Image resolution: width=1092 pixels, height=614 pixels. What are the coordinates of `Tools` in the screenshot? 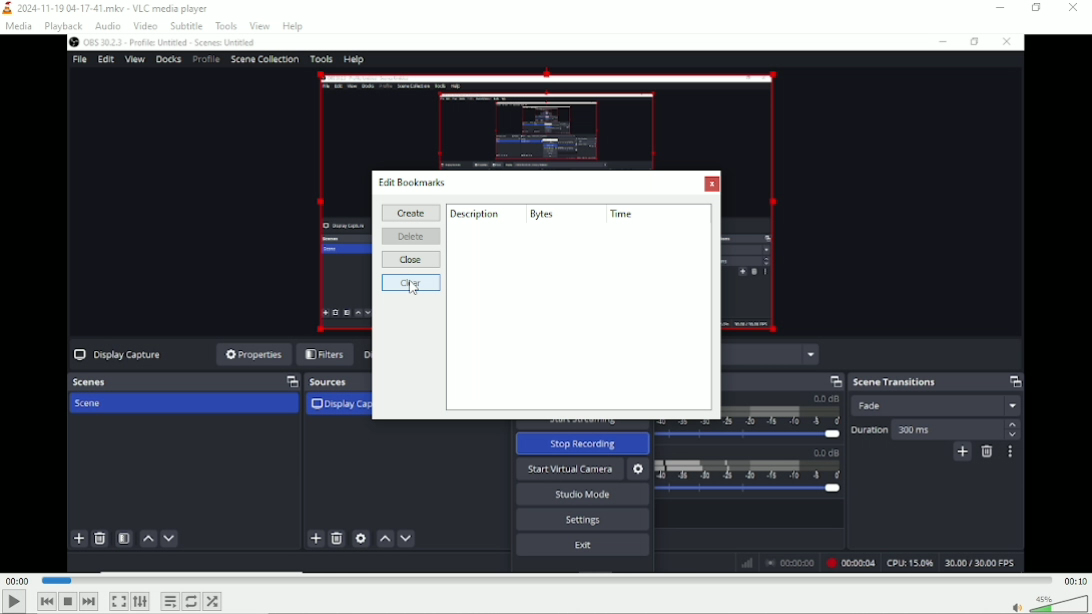 It's located at (226, 26).